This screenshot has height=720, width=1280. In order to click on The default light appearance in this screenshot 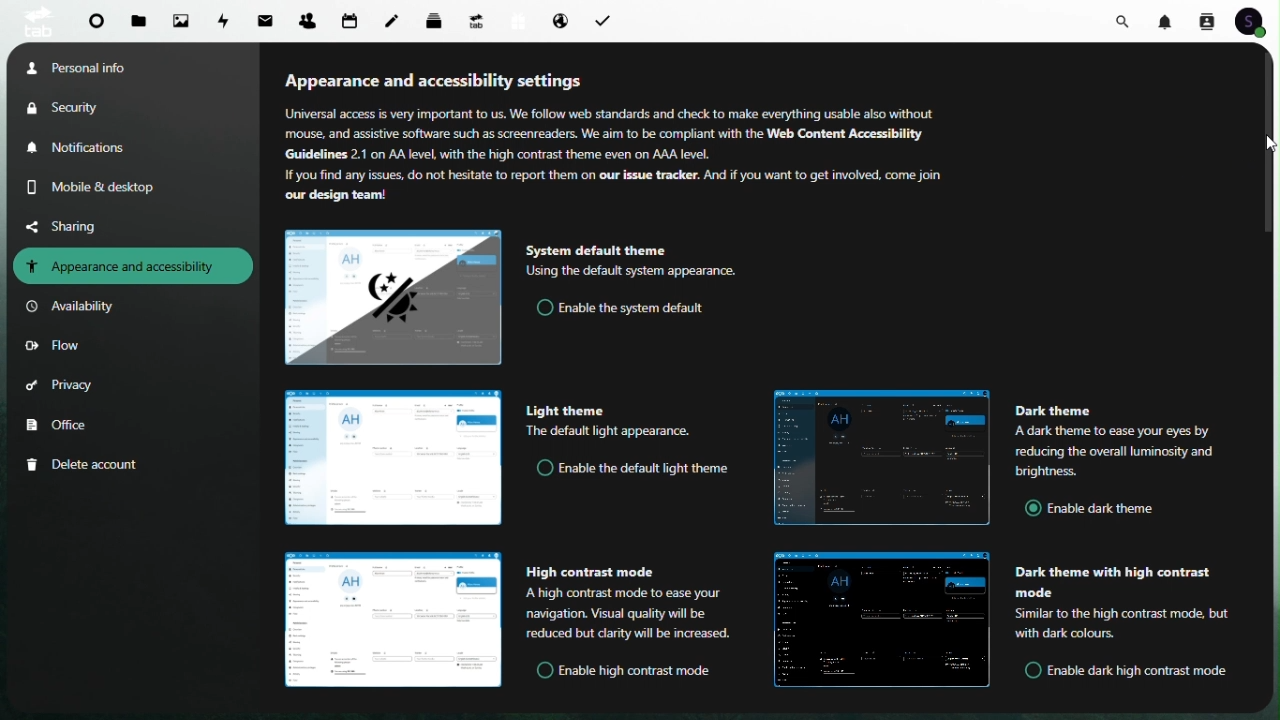, I will do `click(607, 432)`.